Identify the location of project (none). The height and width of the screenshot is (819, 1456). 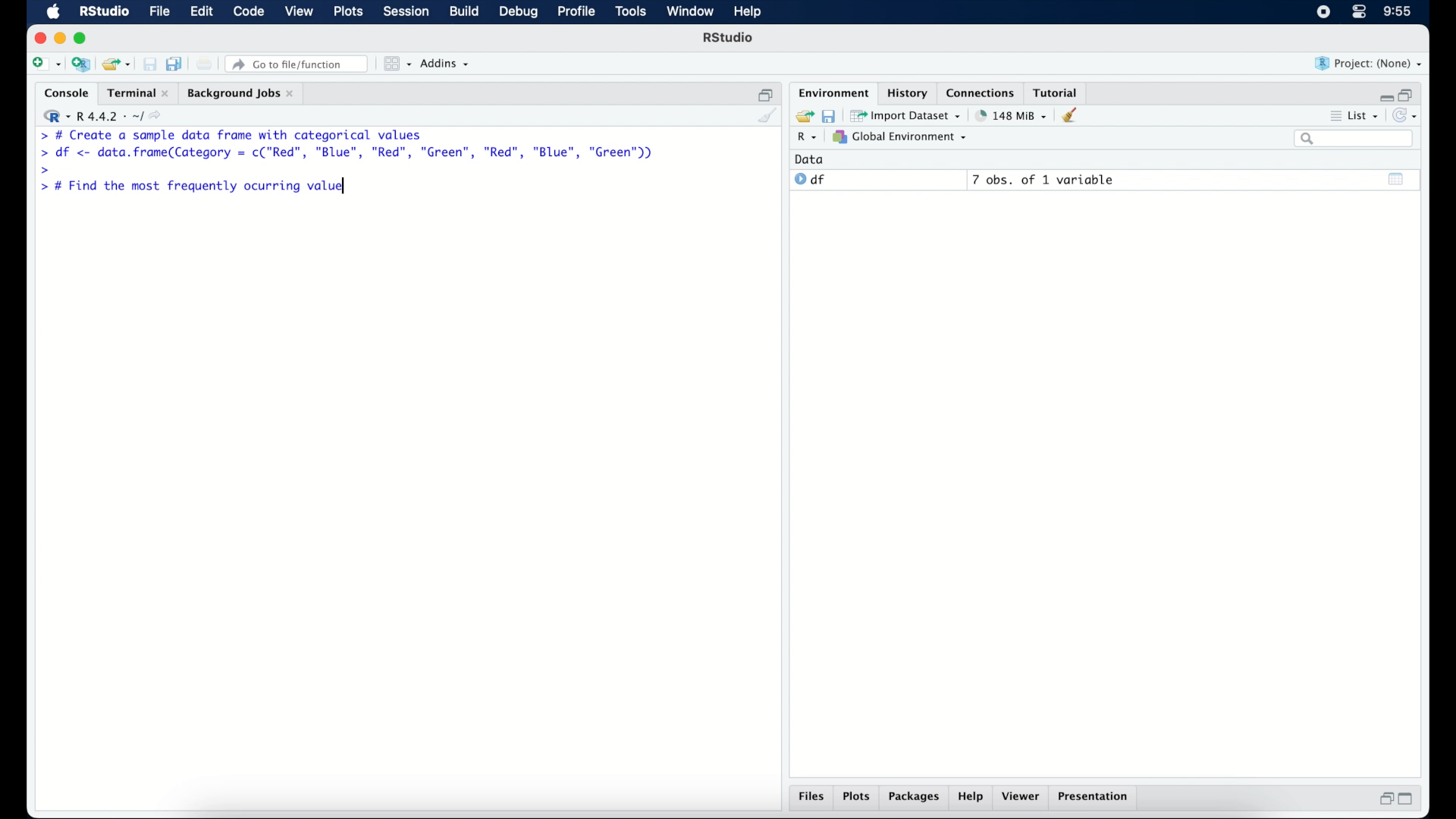
(1369, 63).